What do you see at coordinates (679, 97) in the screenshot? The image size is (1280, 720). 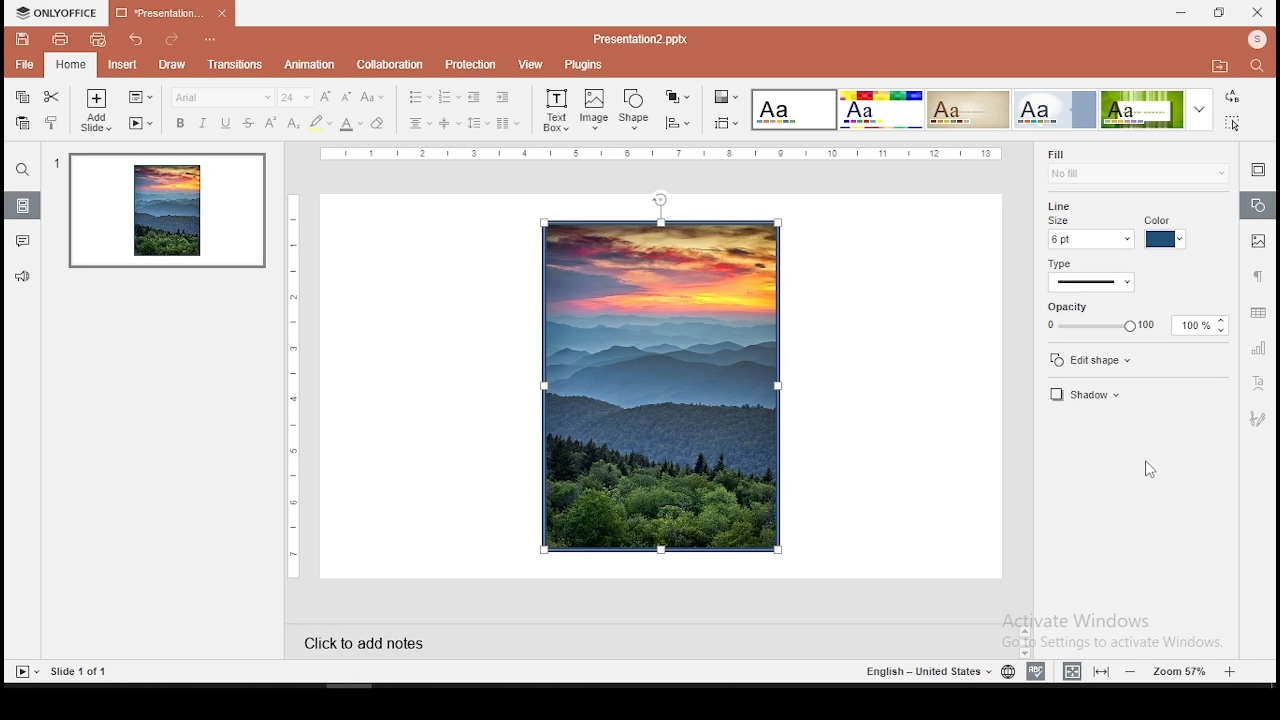 I see `arrange objects` at bounding box center [679, 97].